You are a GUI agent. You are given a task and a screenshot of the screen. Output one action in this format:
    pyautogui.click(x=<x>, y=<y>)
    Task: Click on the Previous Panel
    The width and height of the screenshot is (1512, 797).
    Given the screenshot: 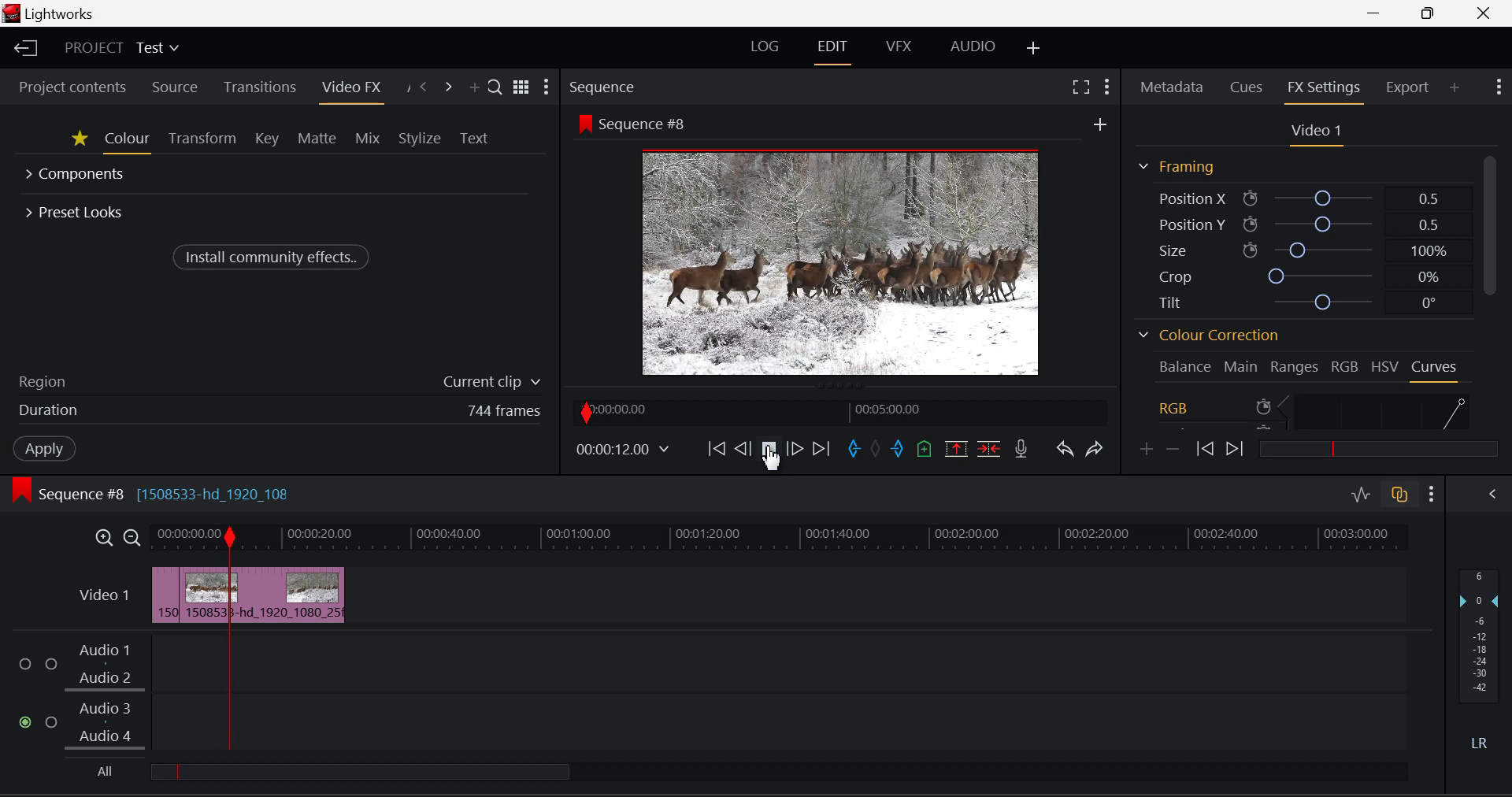 What is the action you would take?
    pyautogui.click(x=424, y=86)
    